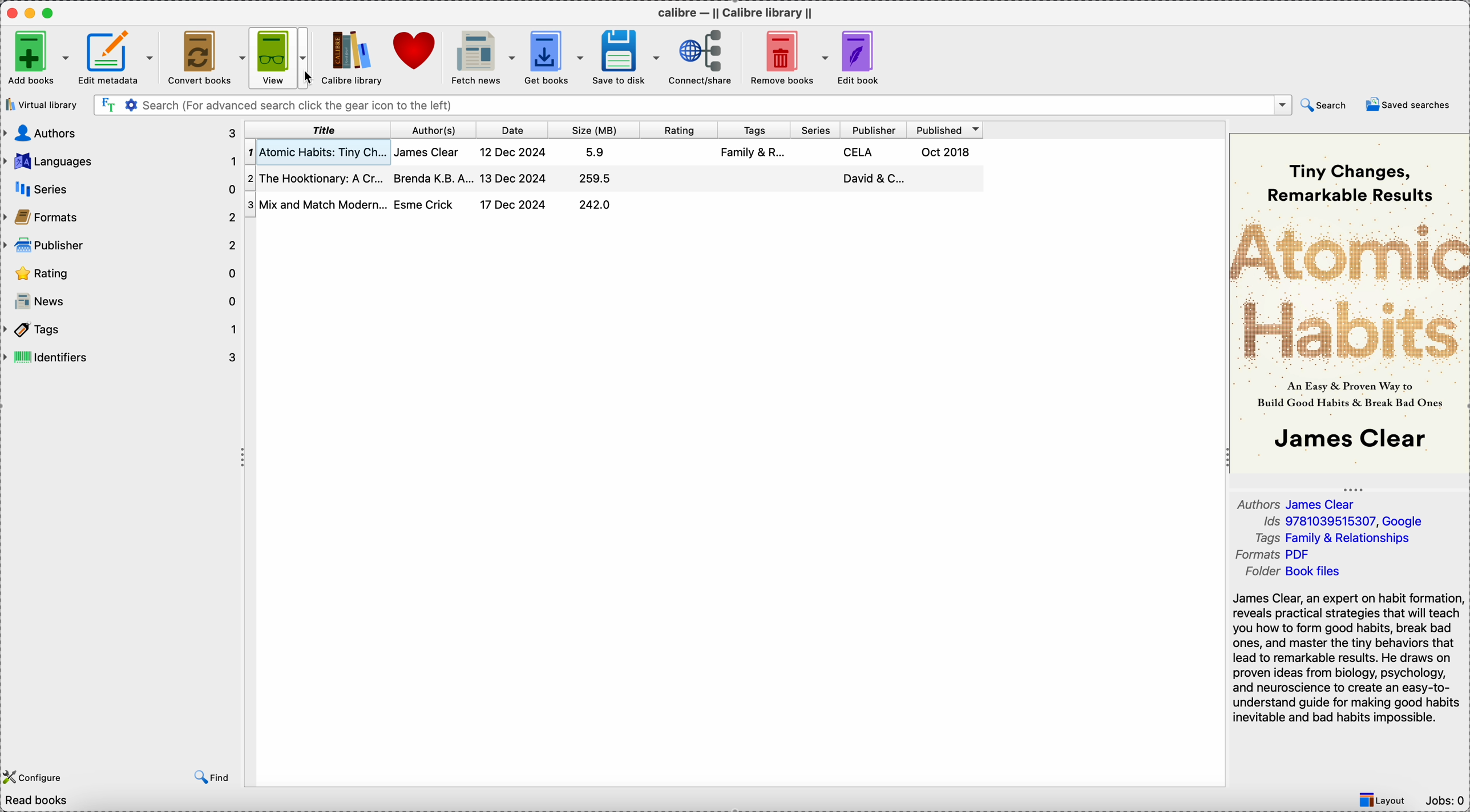 Image resolution: width=1470 pixels, height=812 pixels. I want to click on get books, so click(553, 58).